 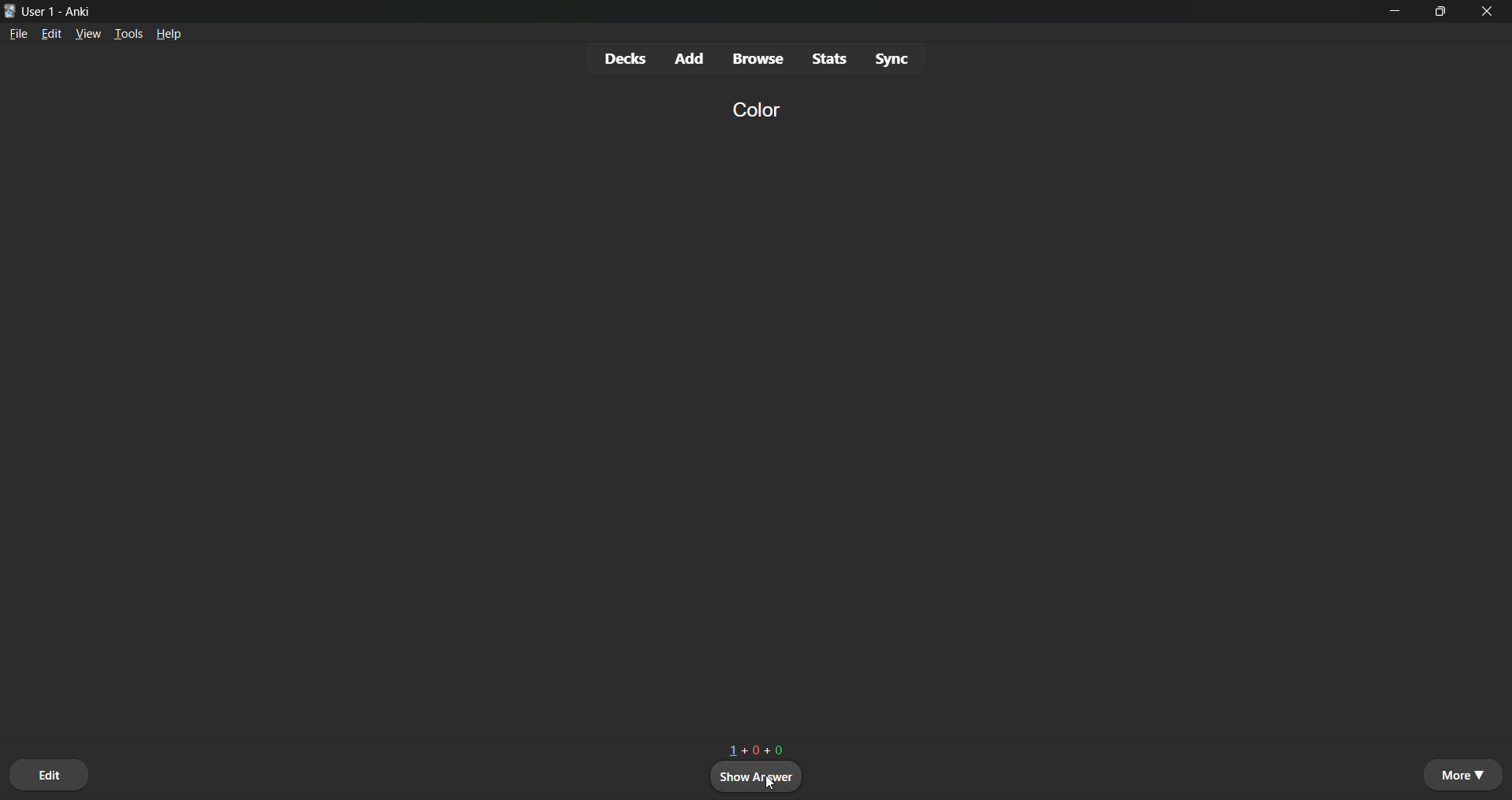 What do you see at coordinates (1462, 774) in the screenshot?
I see `more` at bounding box center [1462, 774].